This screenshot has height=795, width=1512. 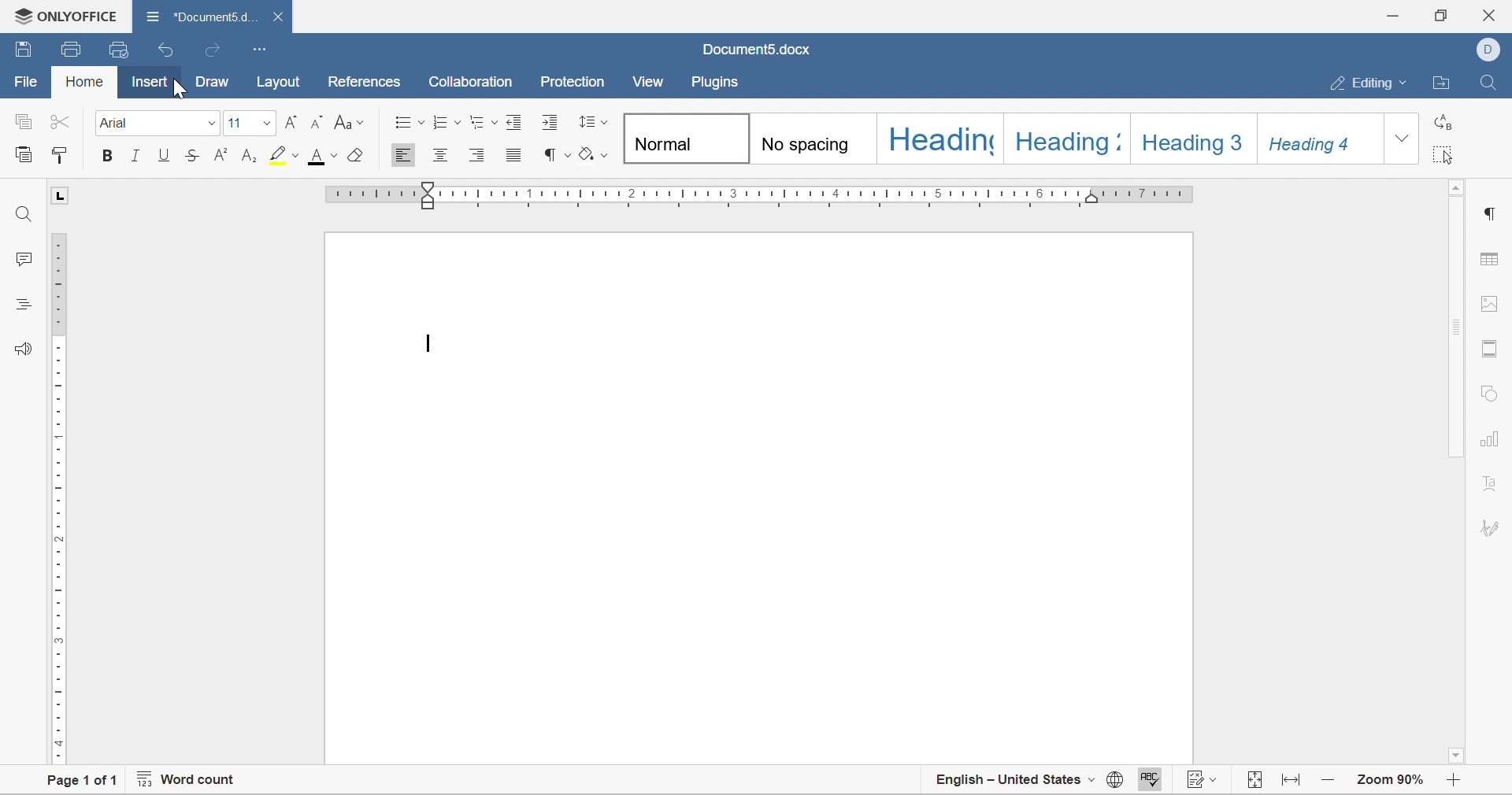 I want to click on paste, so click(x=23, y=154).